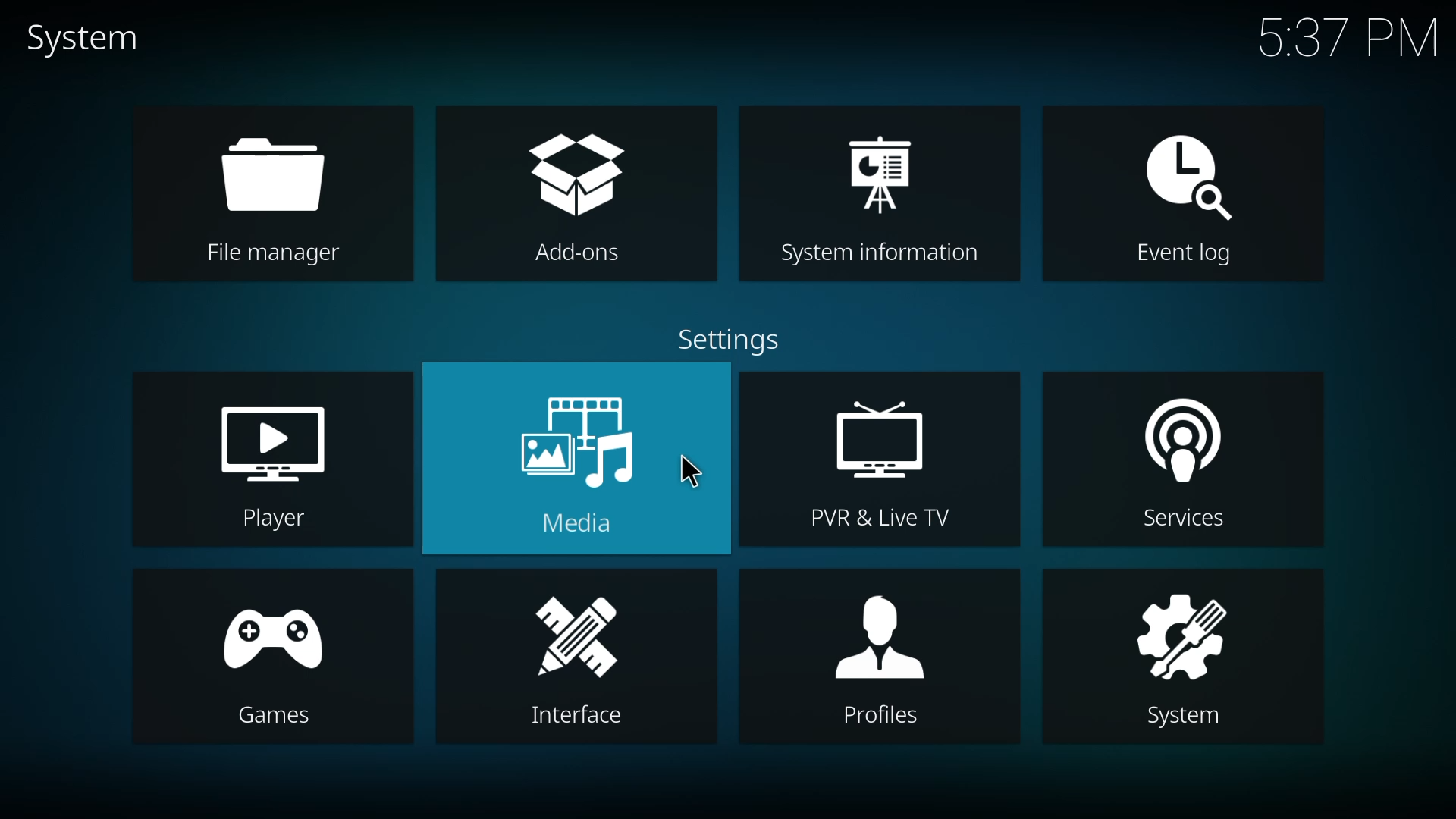 The image size is (1456, 819). Describe the element at coordinates (883, 435) in the screenshot. I see `pvr & live tv` at that location.